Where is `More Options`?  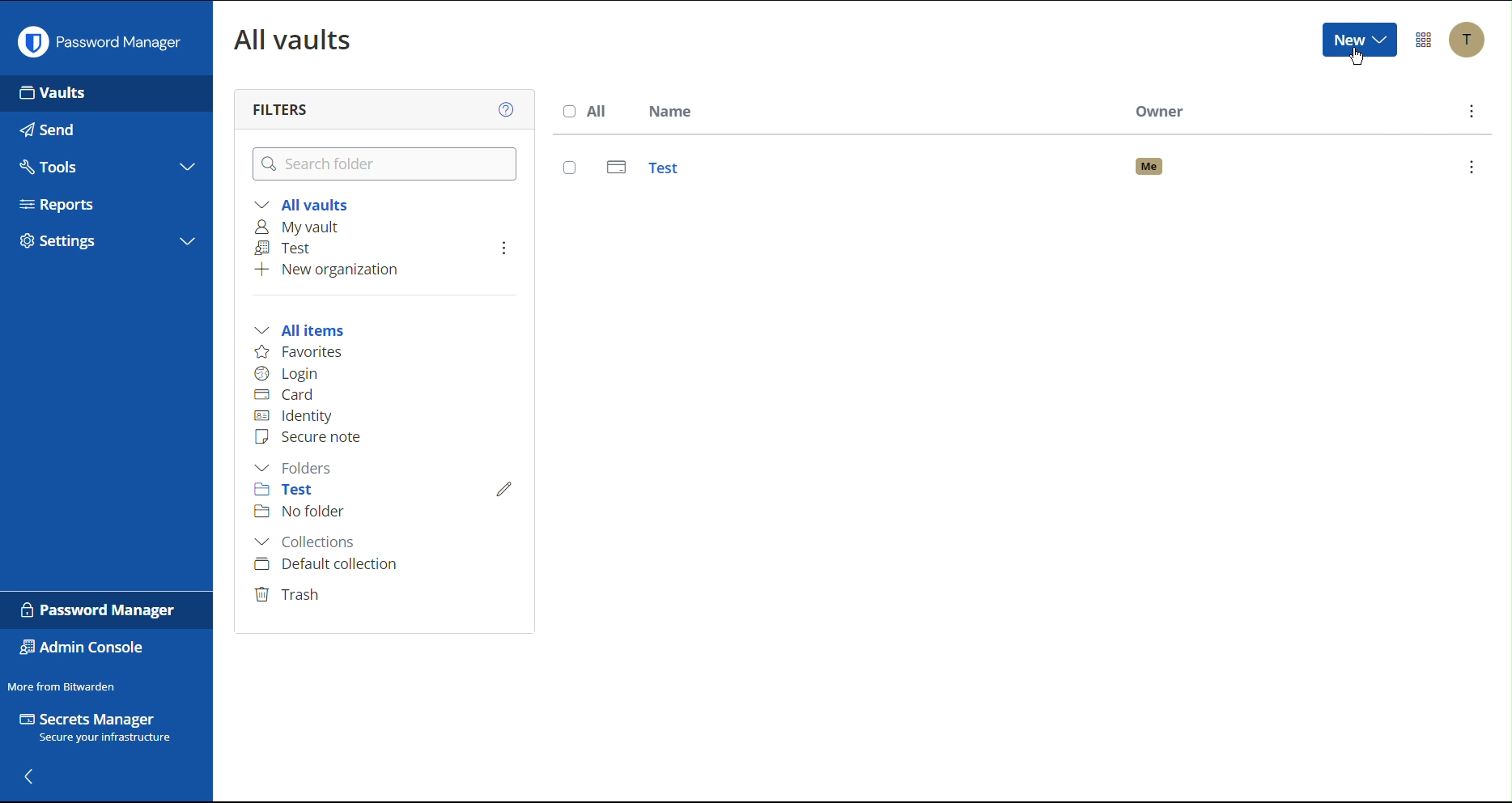
More Options is located at coordinates (1424, 40).